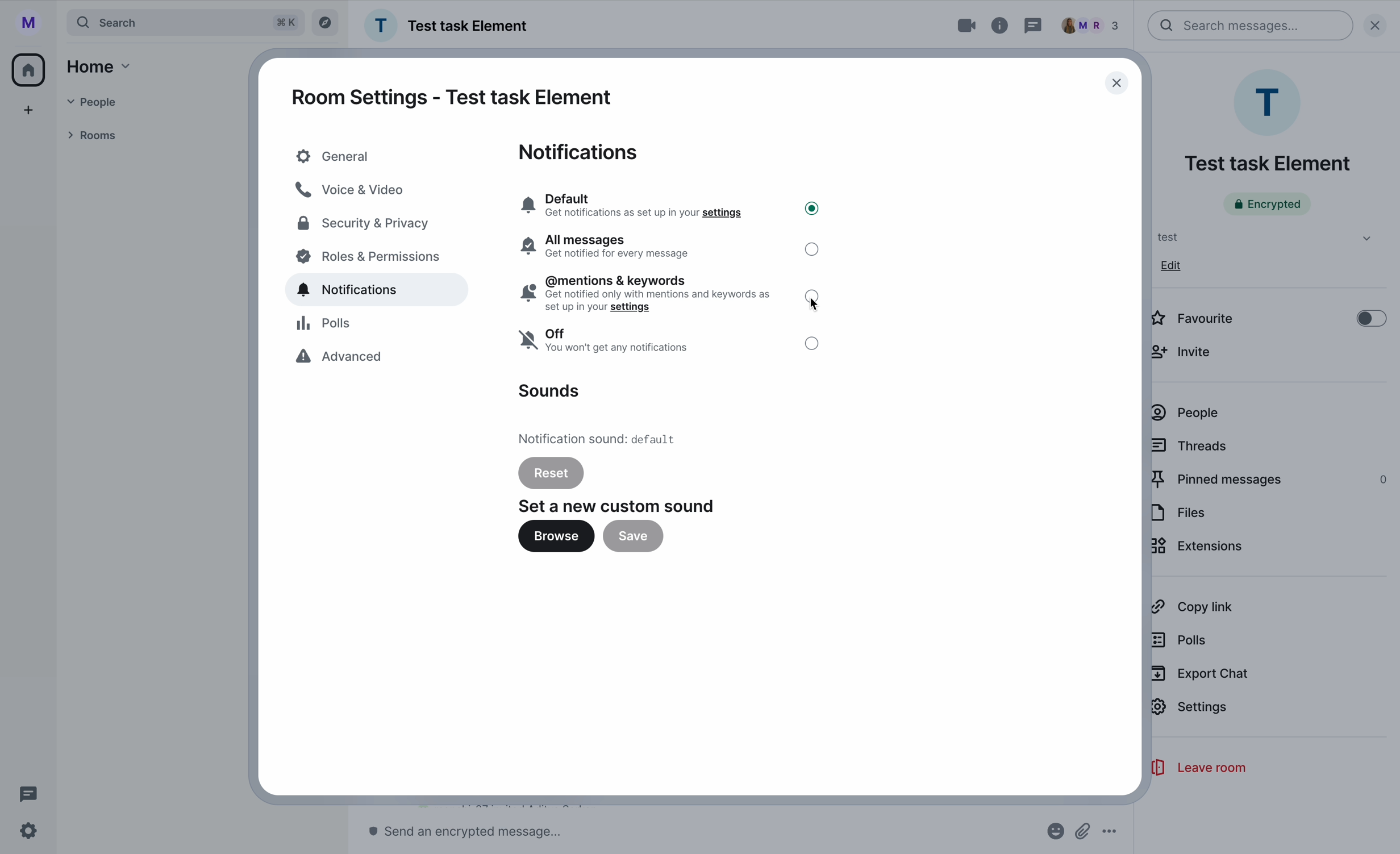  Describe the element at coordinates (1267, 204) in the screenshot. I see `encrypted` at that location.